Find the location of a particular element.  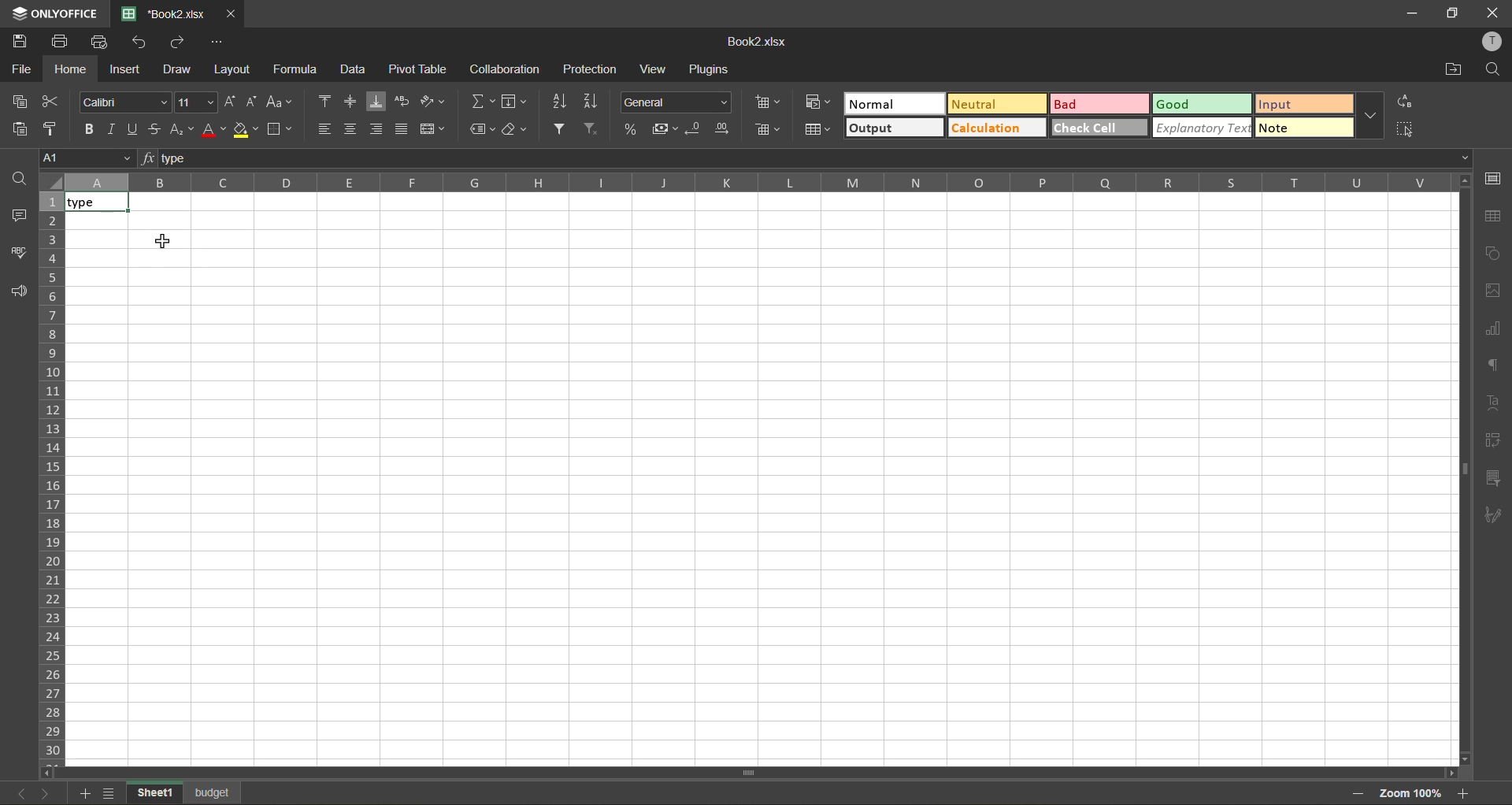

strikethrough is located at coordinates (160, 130).